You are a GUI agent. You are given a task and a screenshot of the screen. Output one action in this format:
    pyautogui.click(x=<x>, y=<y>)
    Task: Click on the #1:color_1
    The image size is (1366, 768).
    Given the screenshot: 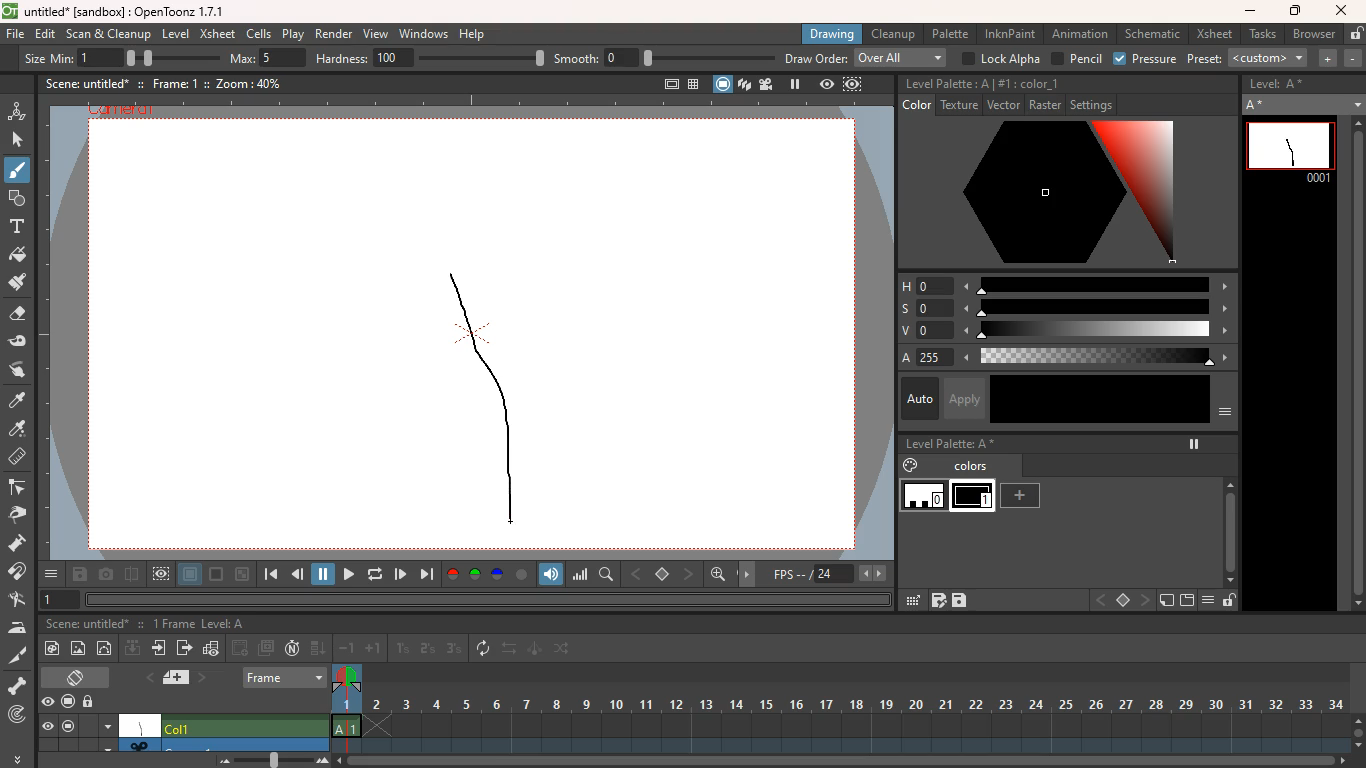 What is the action you would take?
    pyautogui.click(x=1030, y=84)
    